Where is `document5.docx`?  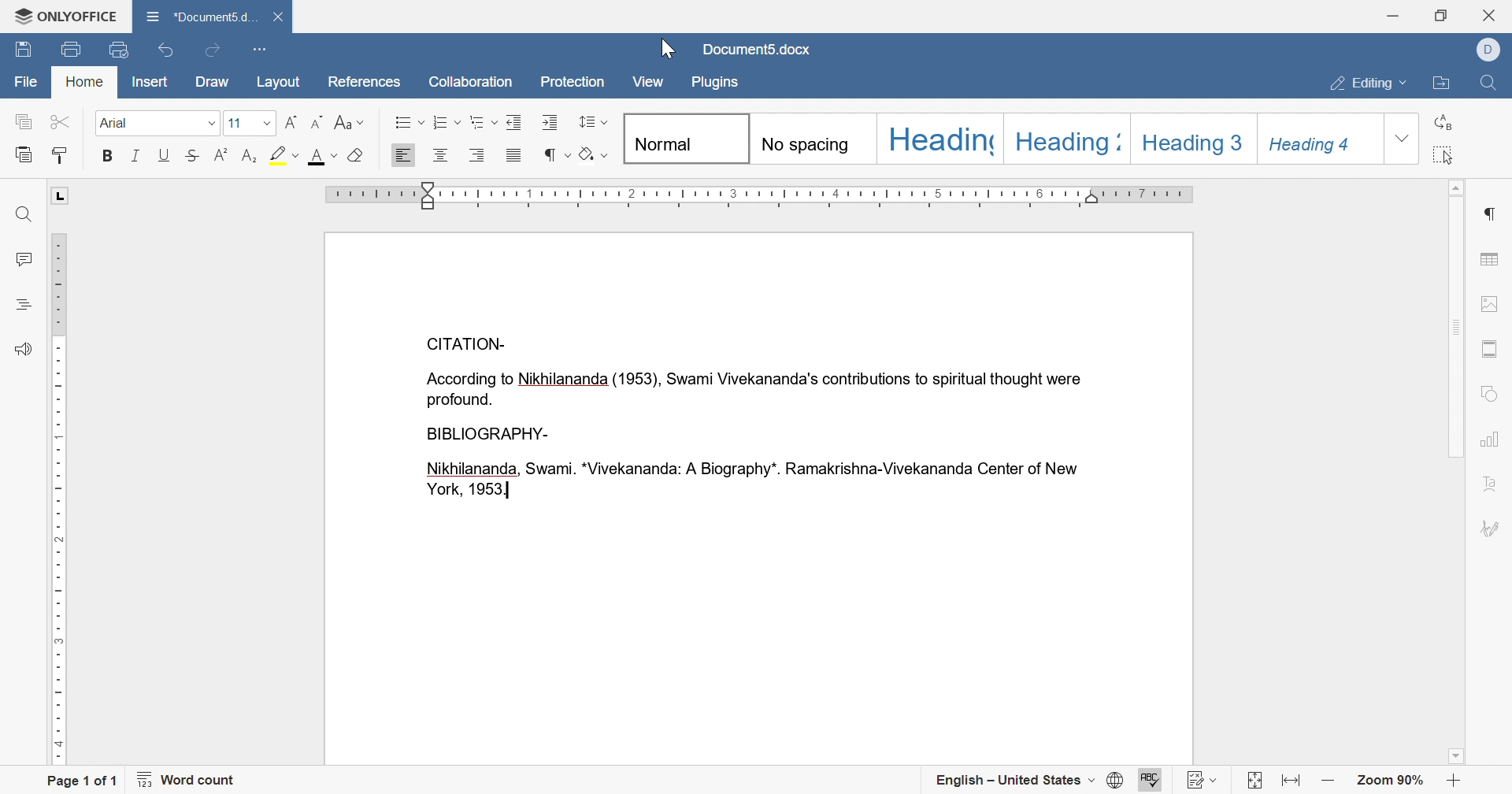 document5.docx is located at coordinates (749, 48).